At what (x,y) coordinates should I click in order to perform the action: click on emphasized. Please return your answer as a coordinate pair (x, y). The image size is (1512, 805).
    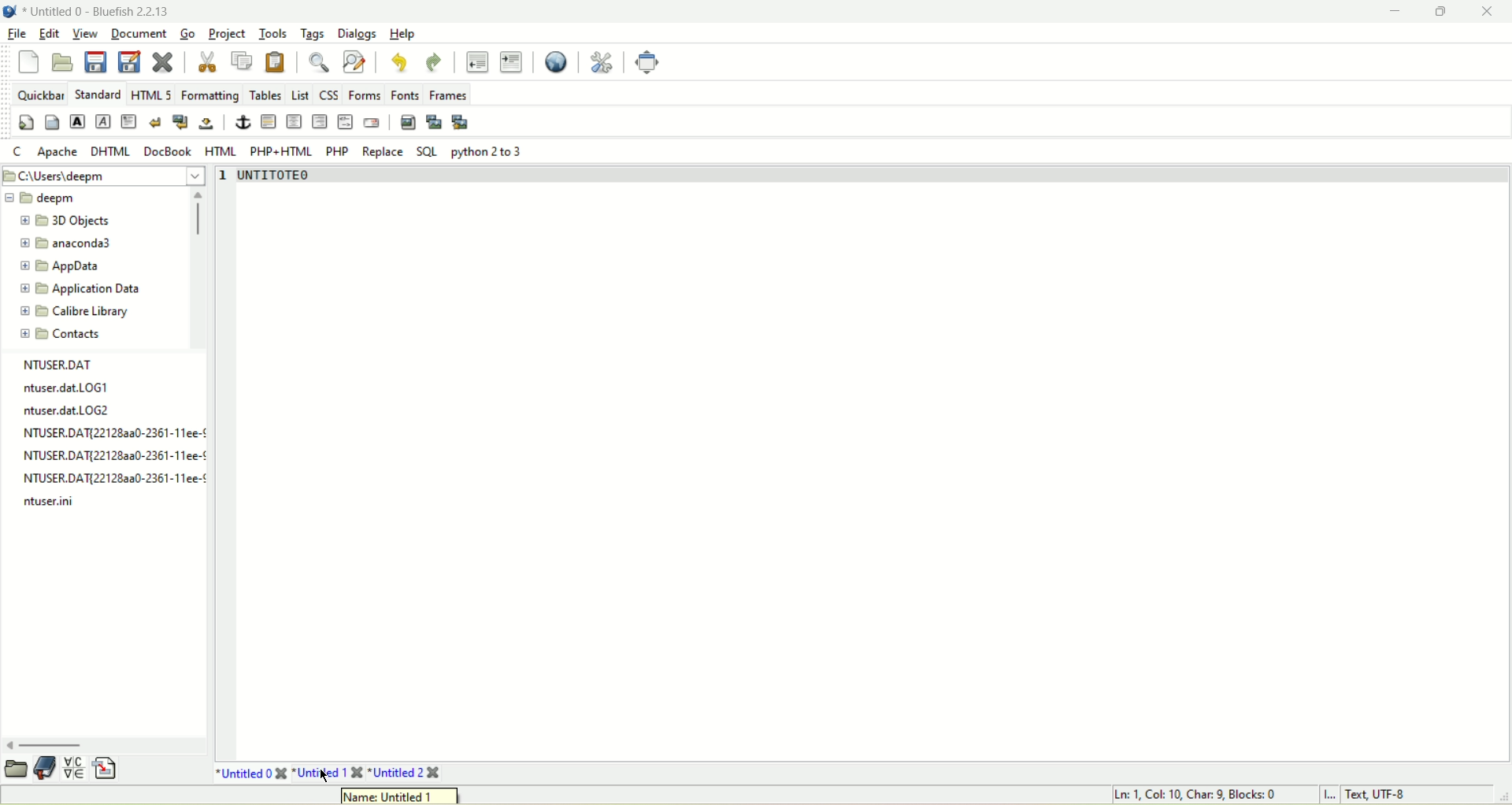
    Looking at the image, I should click on (105, 121).